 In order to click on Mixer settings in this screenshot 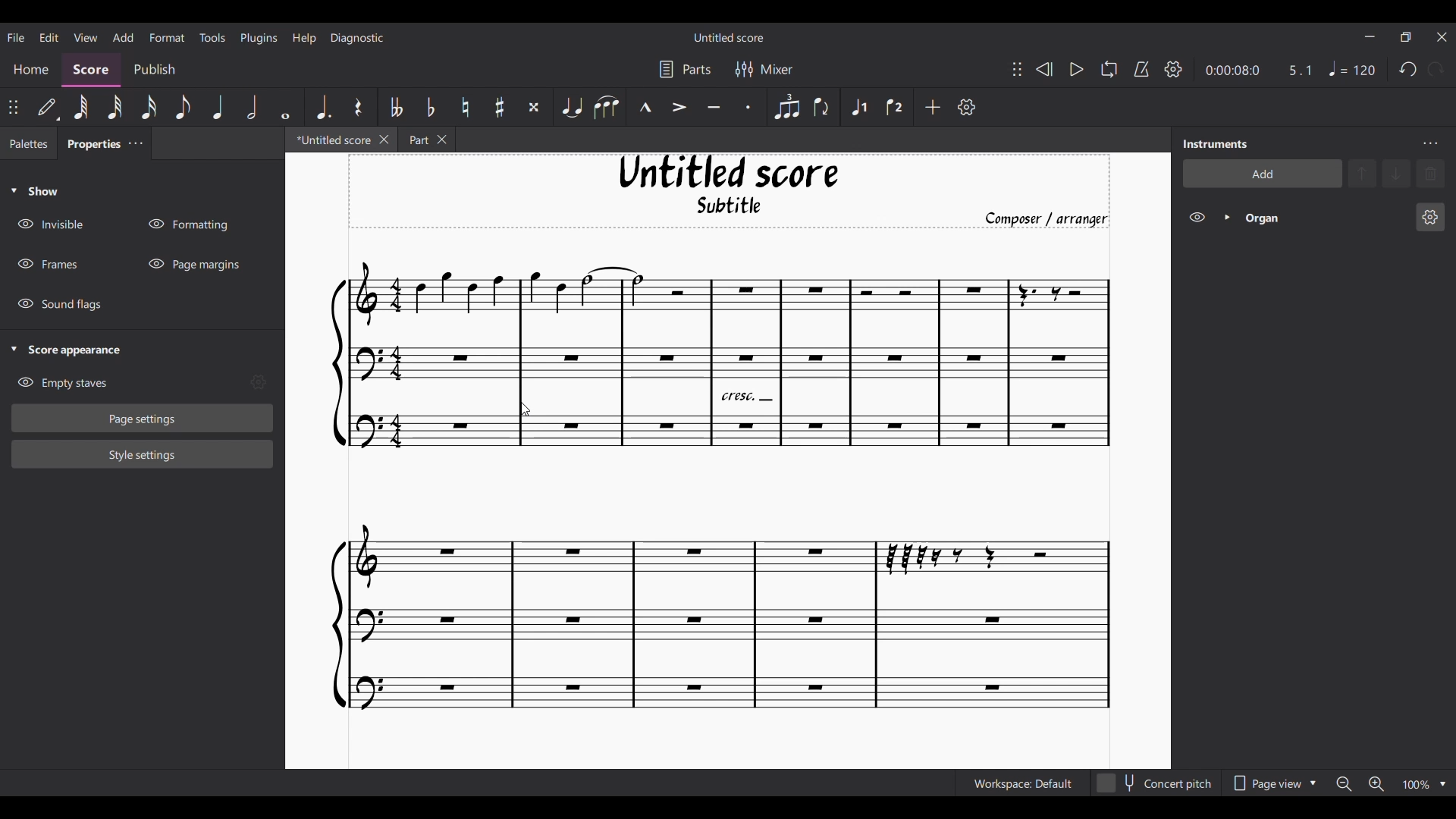, I will do `click(764, 69)`.